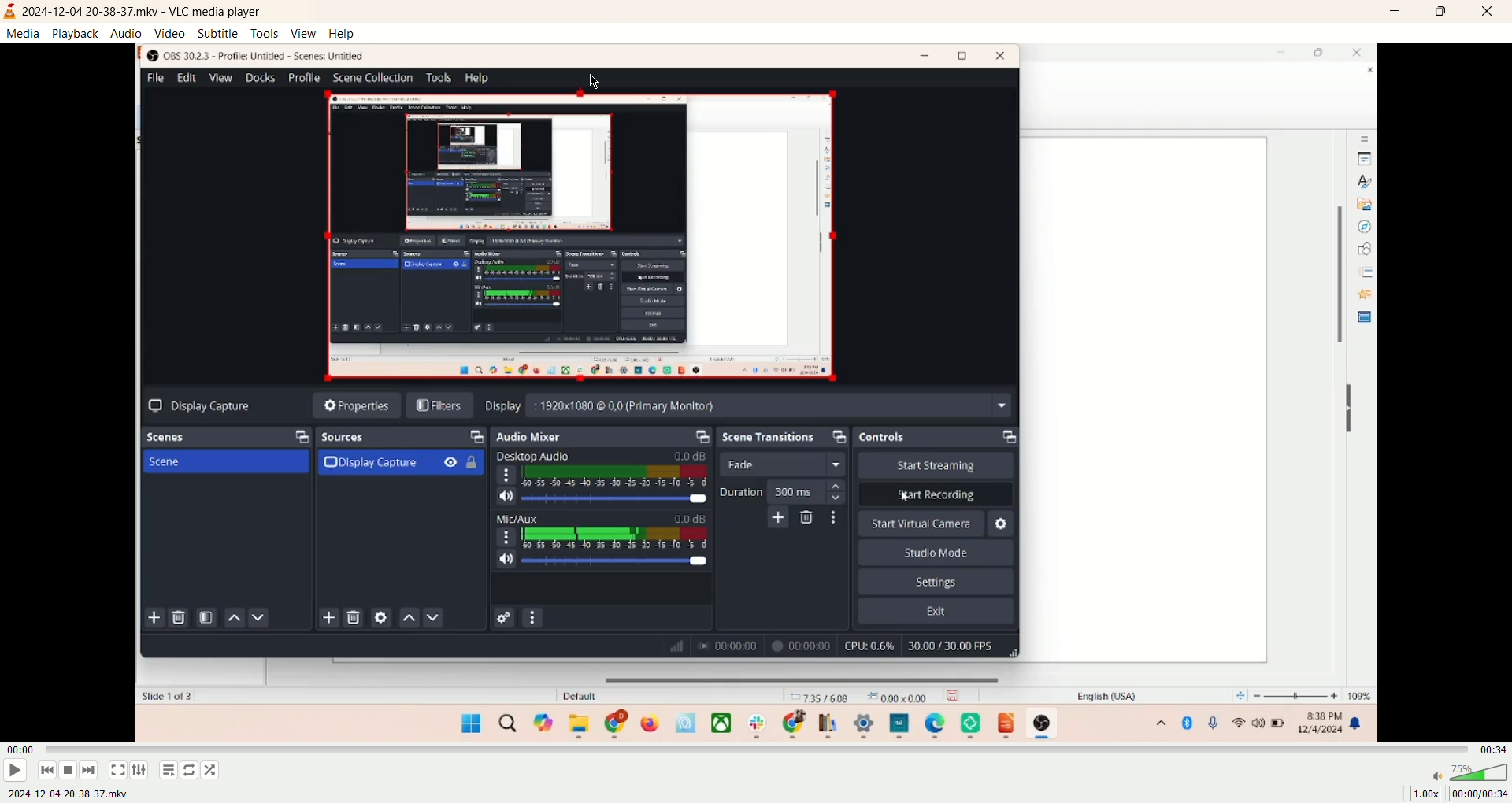 Image resolution: width=1512 pixels, height=803 pixels. Describe the element at coordinates (91, 770) in the screenshot. I see `next` at that location.